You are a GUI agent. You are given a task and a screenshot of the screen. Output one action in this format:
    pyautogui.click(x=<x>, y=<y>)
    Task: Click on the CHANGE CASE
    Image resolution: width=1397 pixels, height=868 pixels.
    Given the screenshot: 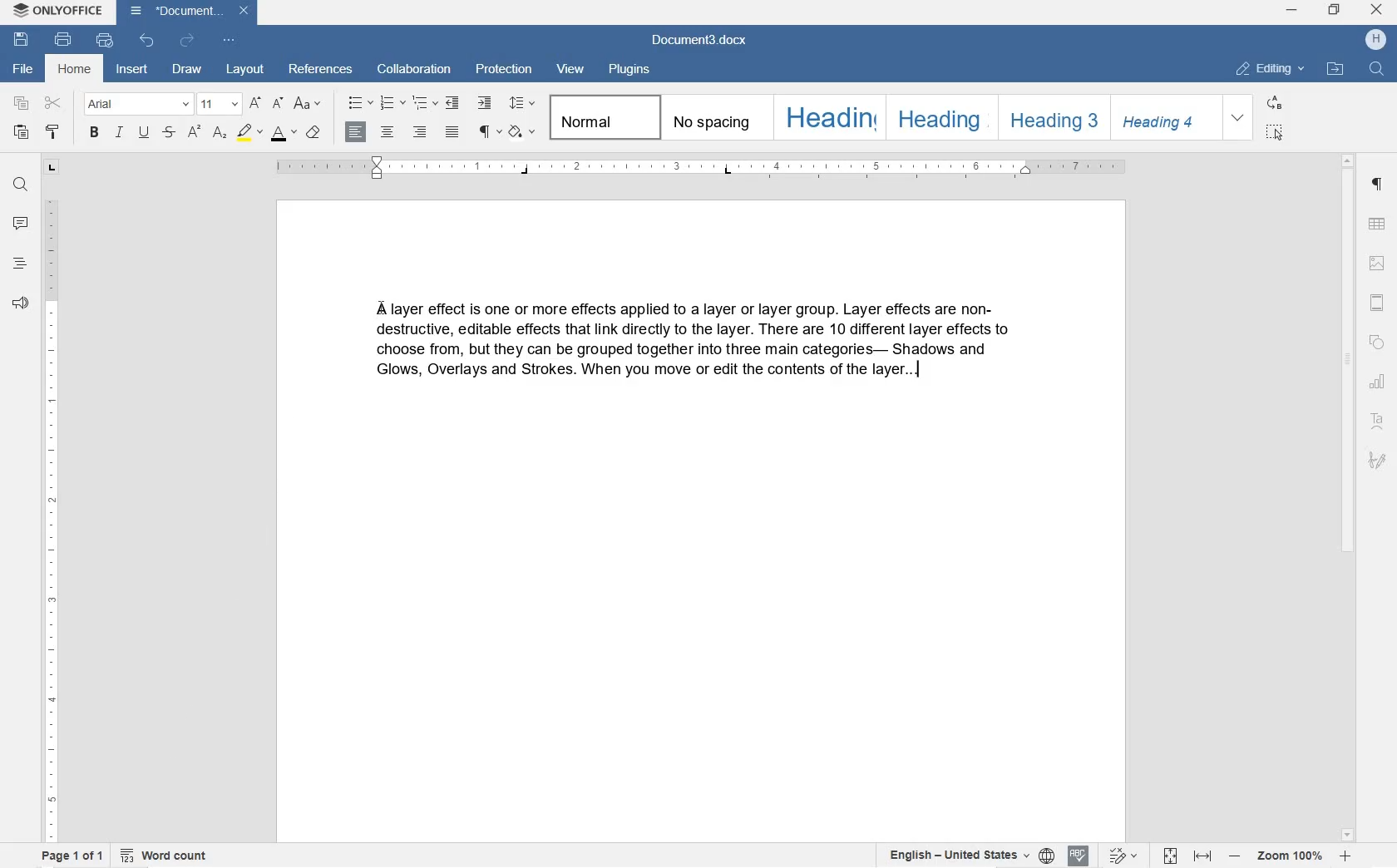 What is the action you would take?
    pyautogui.click(x=310, y=105)
    